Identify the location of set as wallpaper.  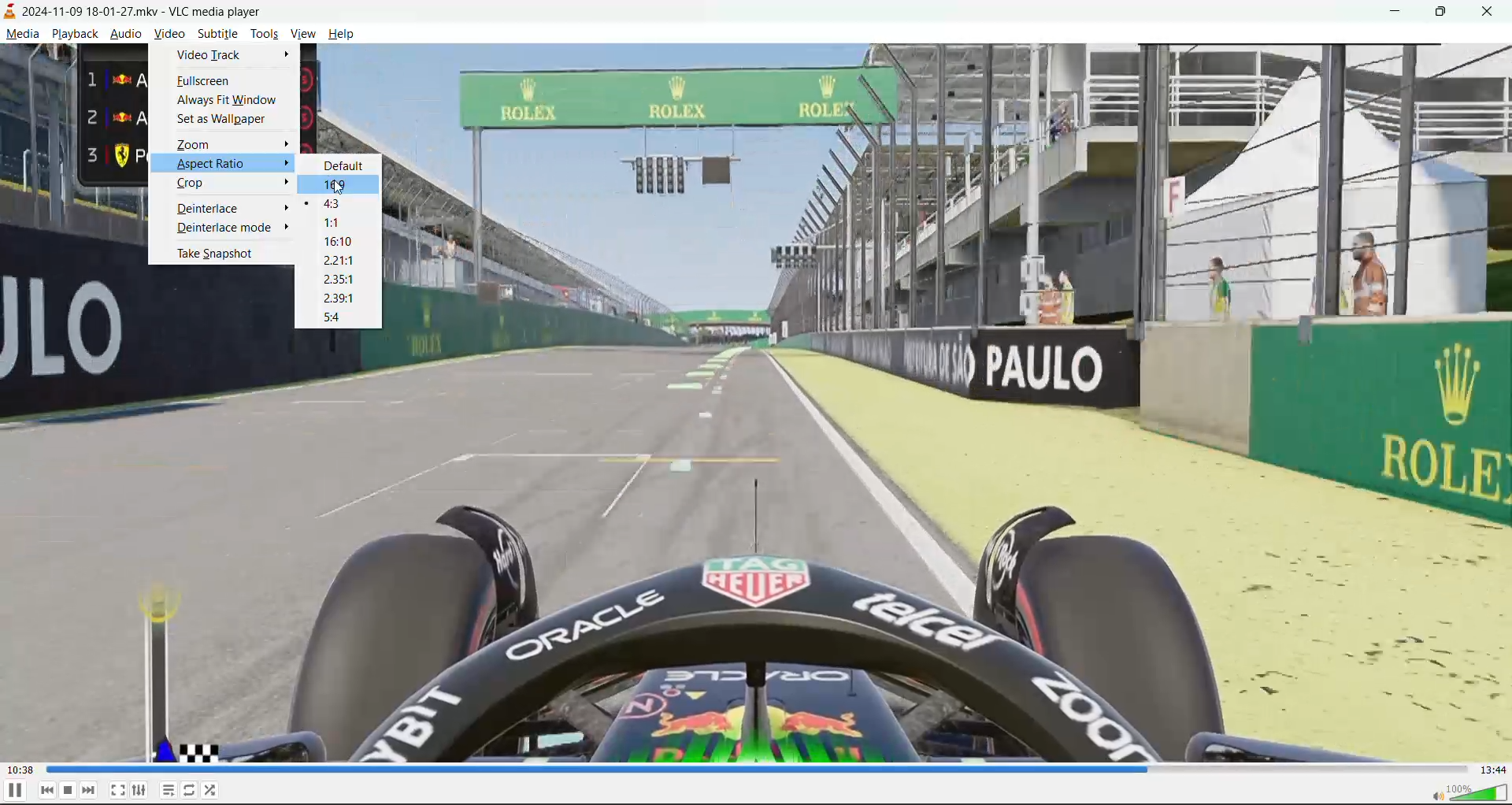
(224, 121).